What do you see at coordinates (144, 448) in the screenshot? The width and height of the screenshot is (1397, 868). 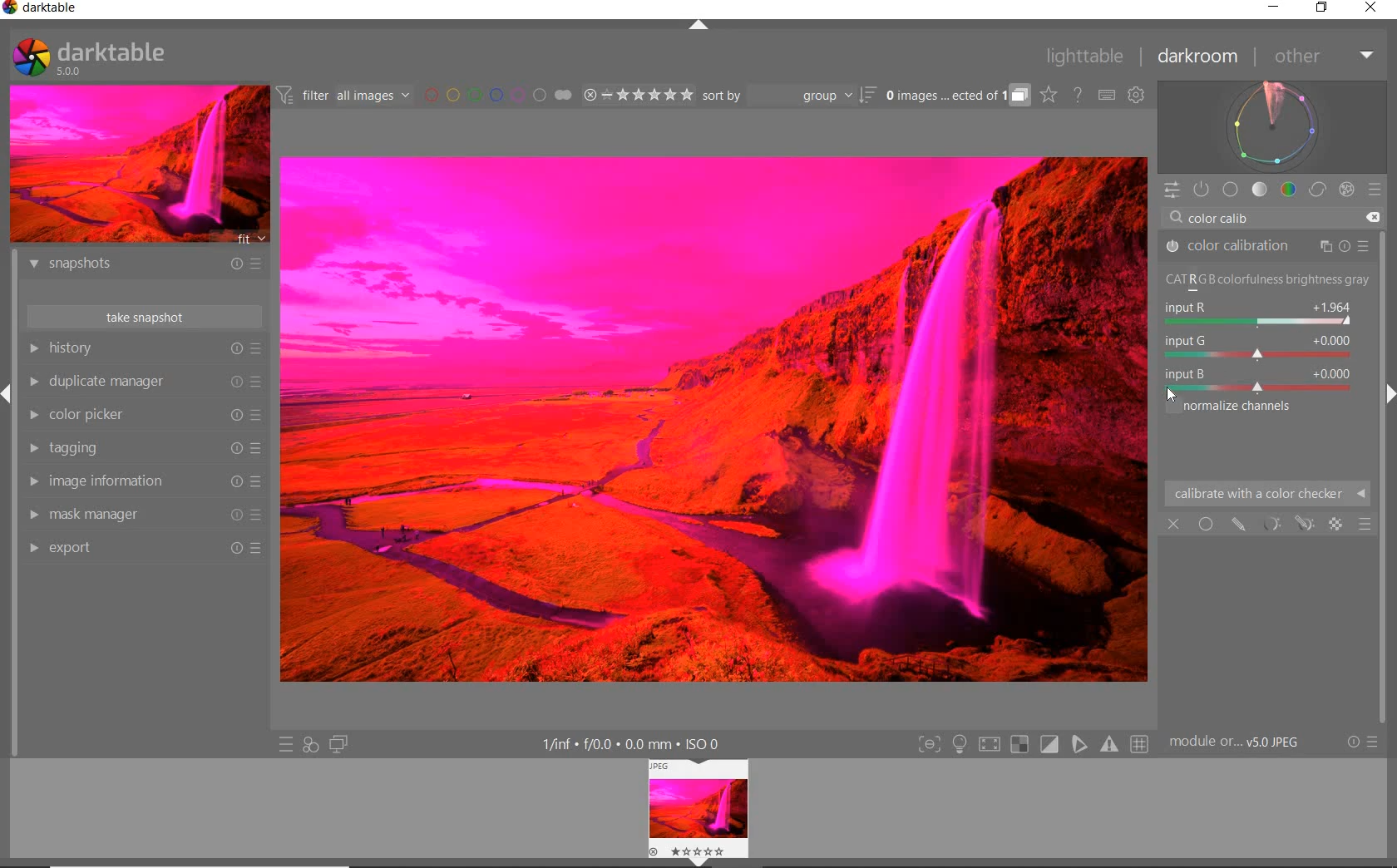 I see `tagging` at bounding box center [144, 448].